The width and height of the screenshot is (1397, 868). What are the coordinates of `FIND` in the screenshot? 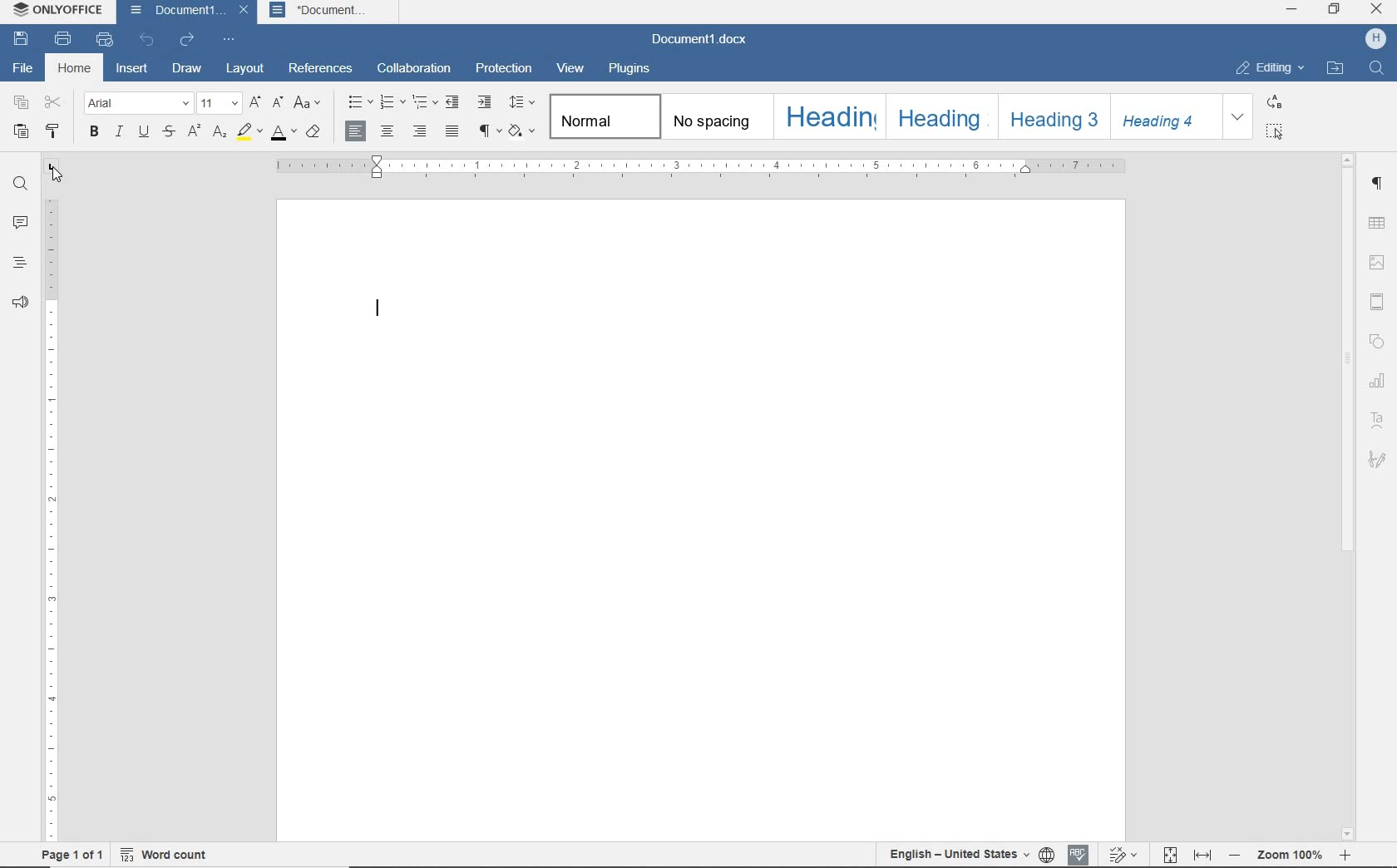 It's located at (21, 184).